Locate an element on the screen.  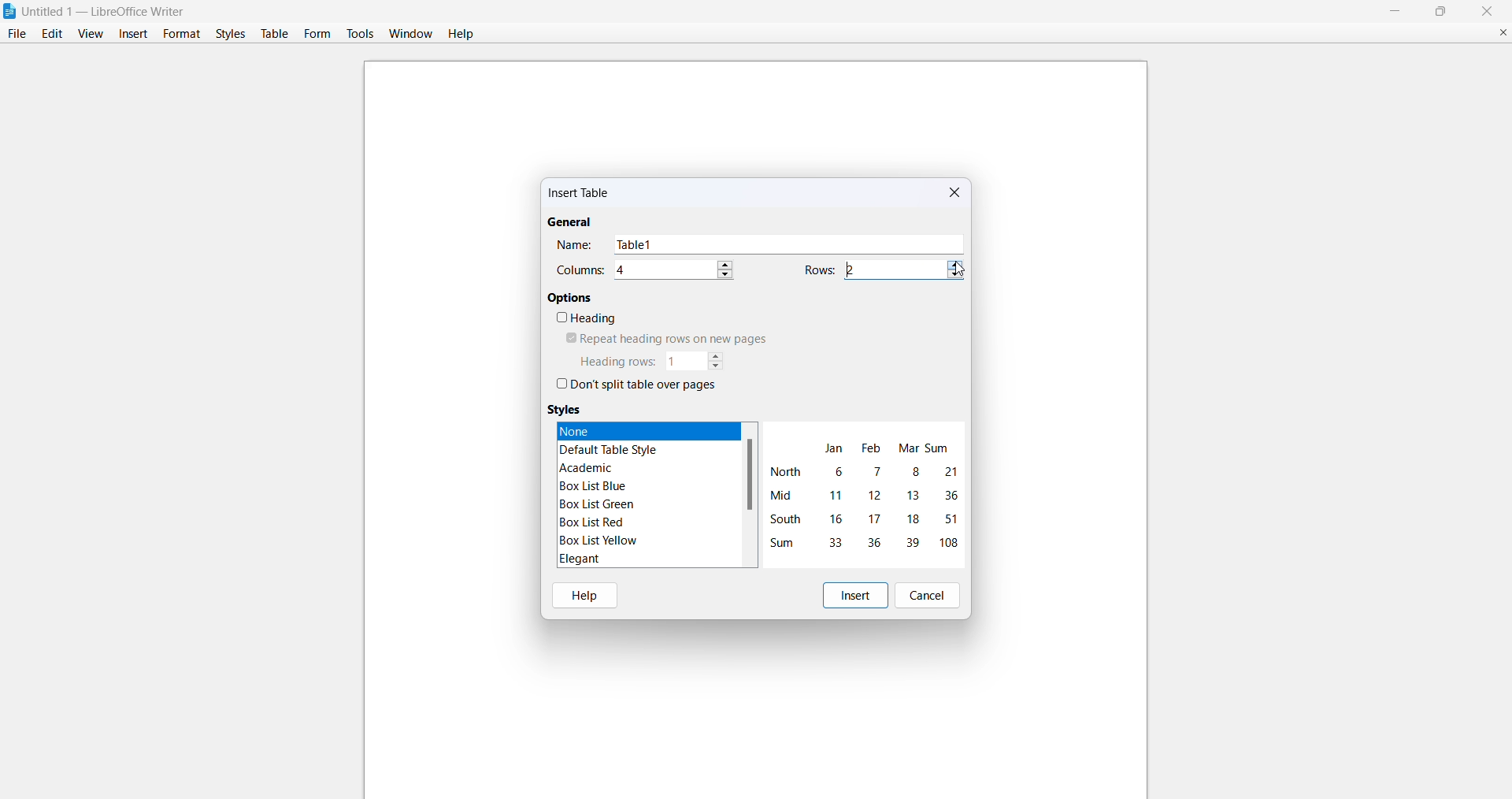
increase rows is located at coordinates (955, 263).